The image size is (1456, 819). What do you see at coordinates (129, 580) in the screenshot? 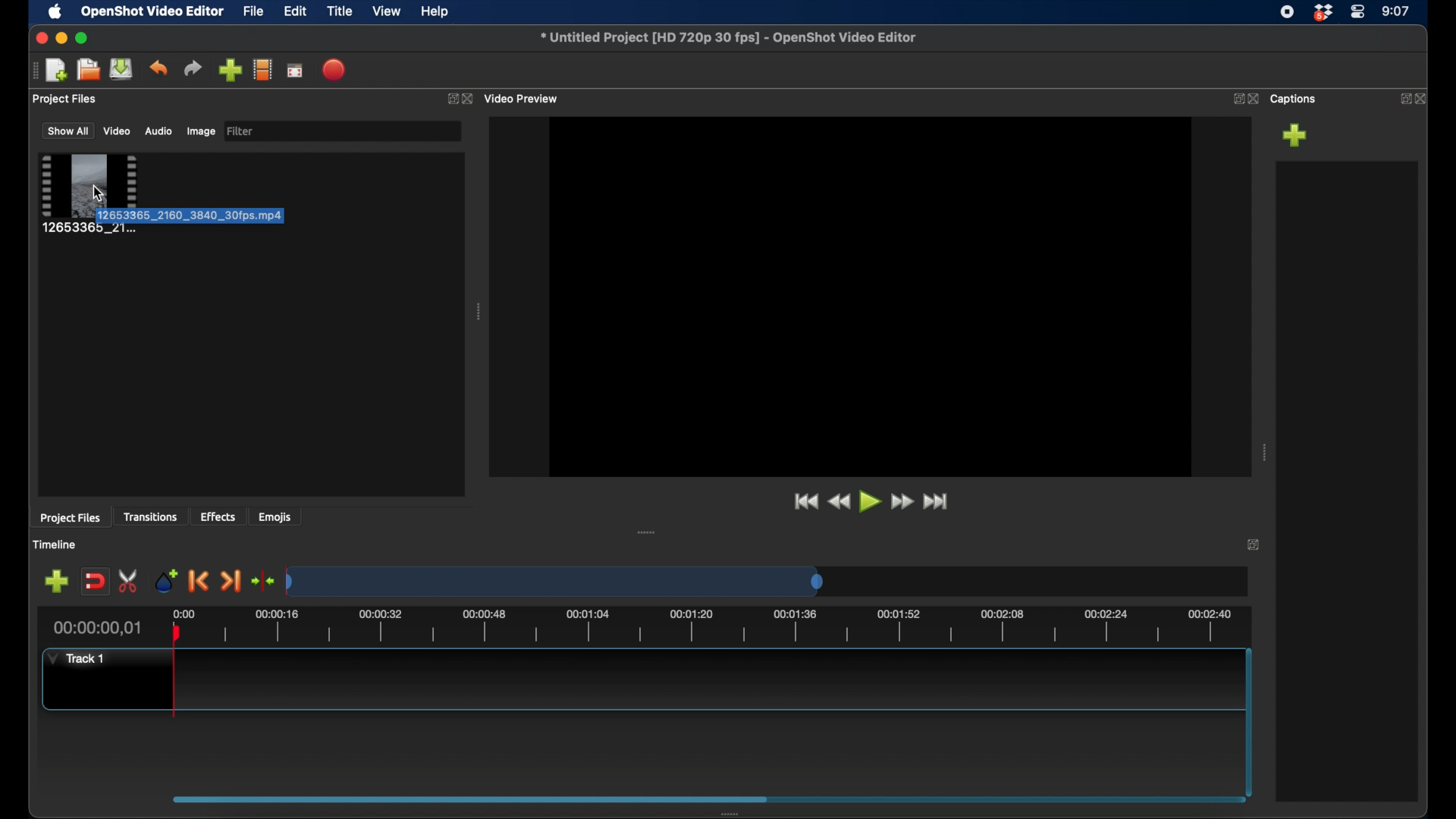
I see `enable razor` at bounding box center [129, 580].